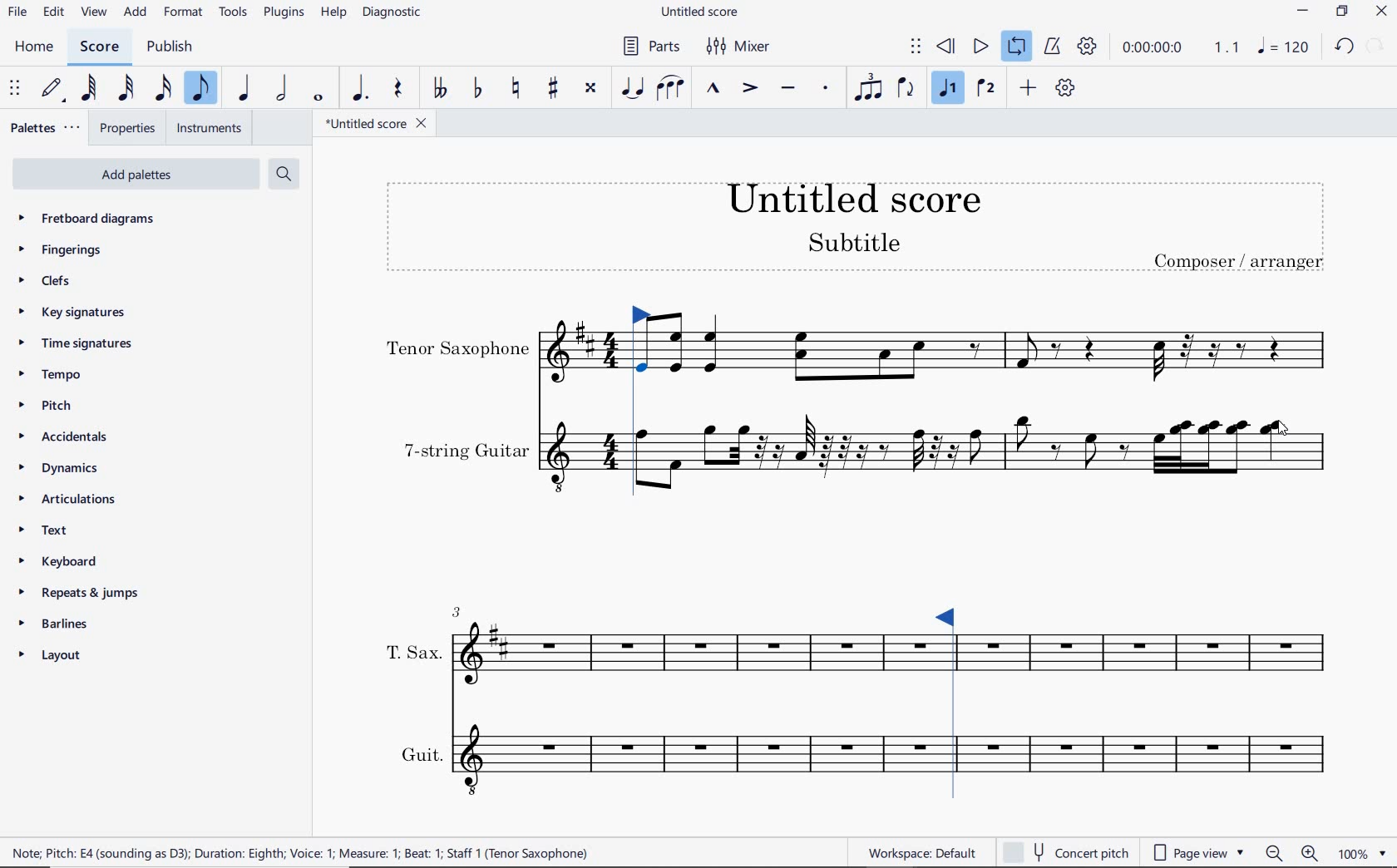  What do you see at coordinates (669, 89) in the screenshot?
I see `SLUR` at bounding box center [669, 89].